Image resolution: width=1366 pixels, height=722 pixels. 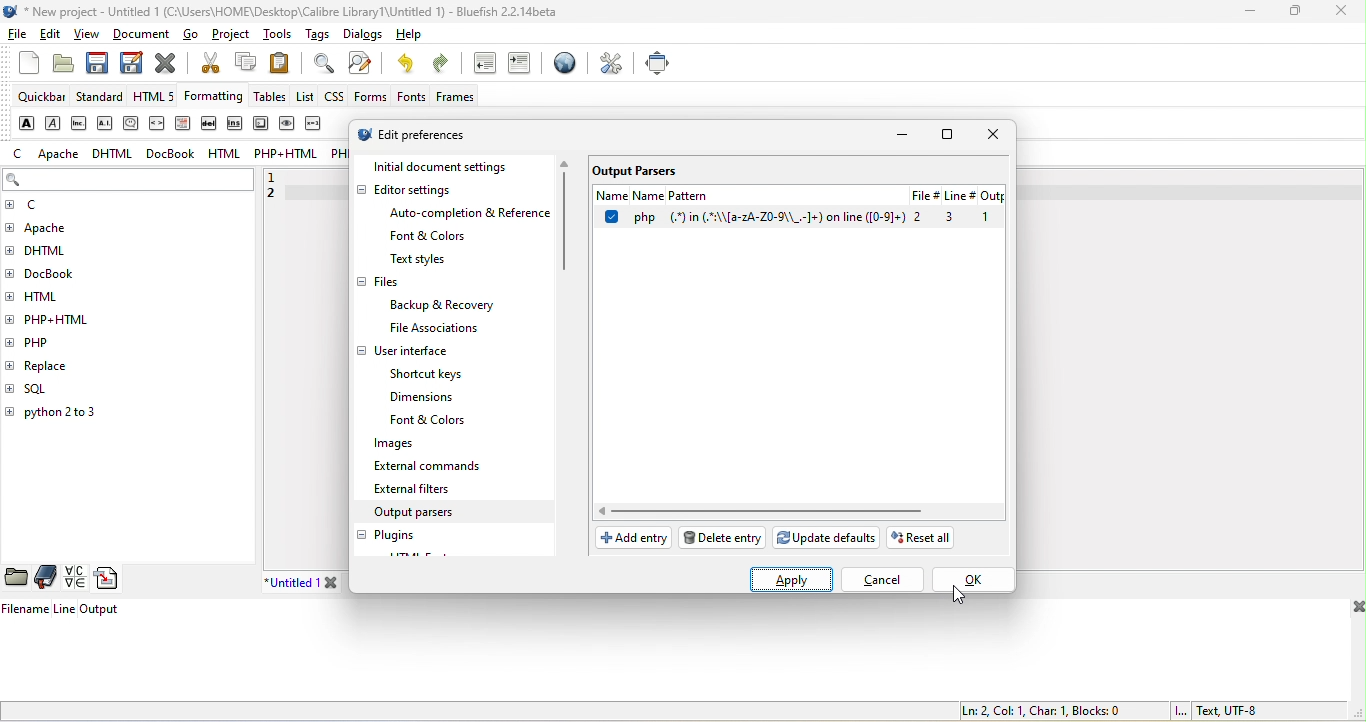 What do you see at coordinates (272, 99) in the screenshot?
I see `tables` at bounding box center [272, 99].